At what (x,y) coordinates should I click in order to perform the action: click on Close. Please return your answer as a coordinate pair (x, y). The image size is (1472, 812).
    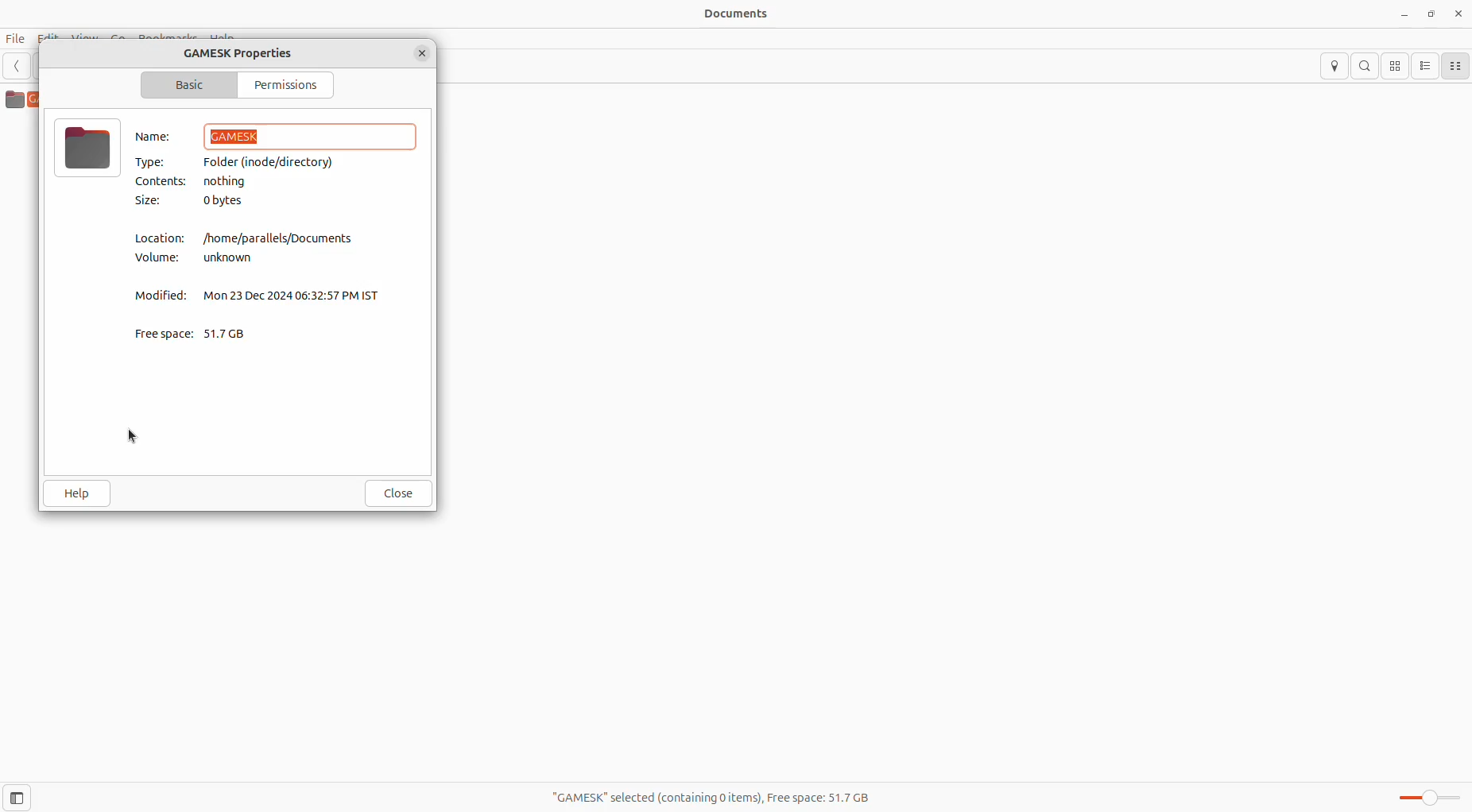
    Looking at the image, I should click on (399, 493).